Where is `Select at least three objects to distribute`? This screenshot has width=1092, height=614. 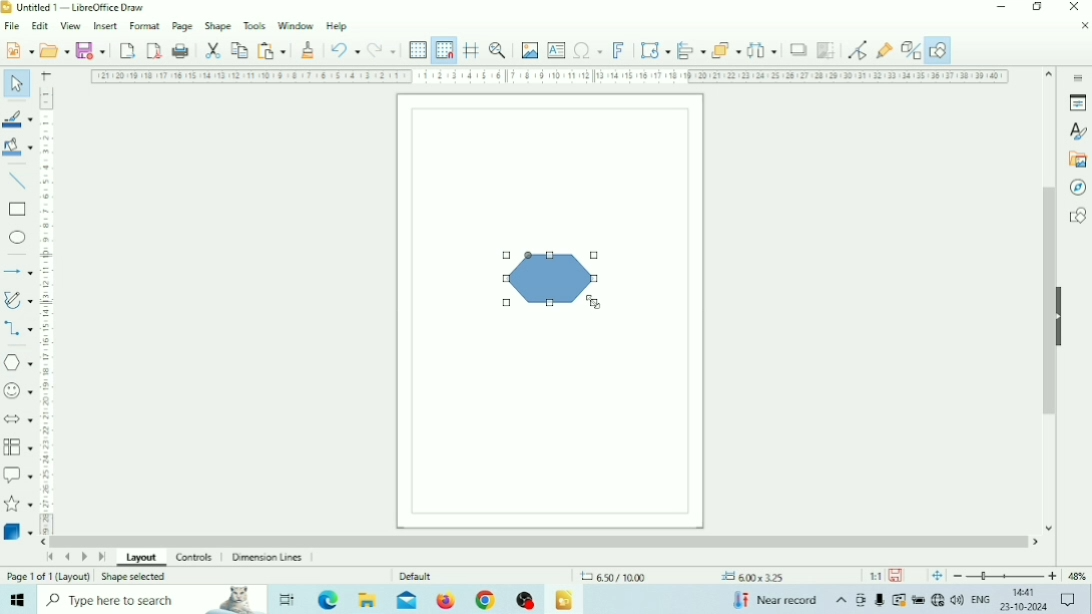
Select at least three objects to distribute is located at coordinates (762, 50).